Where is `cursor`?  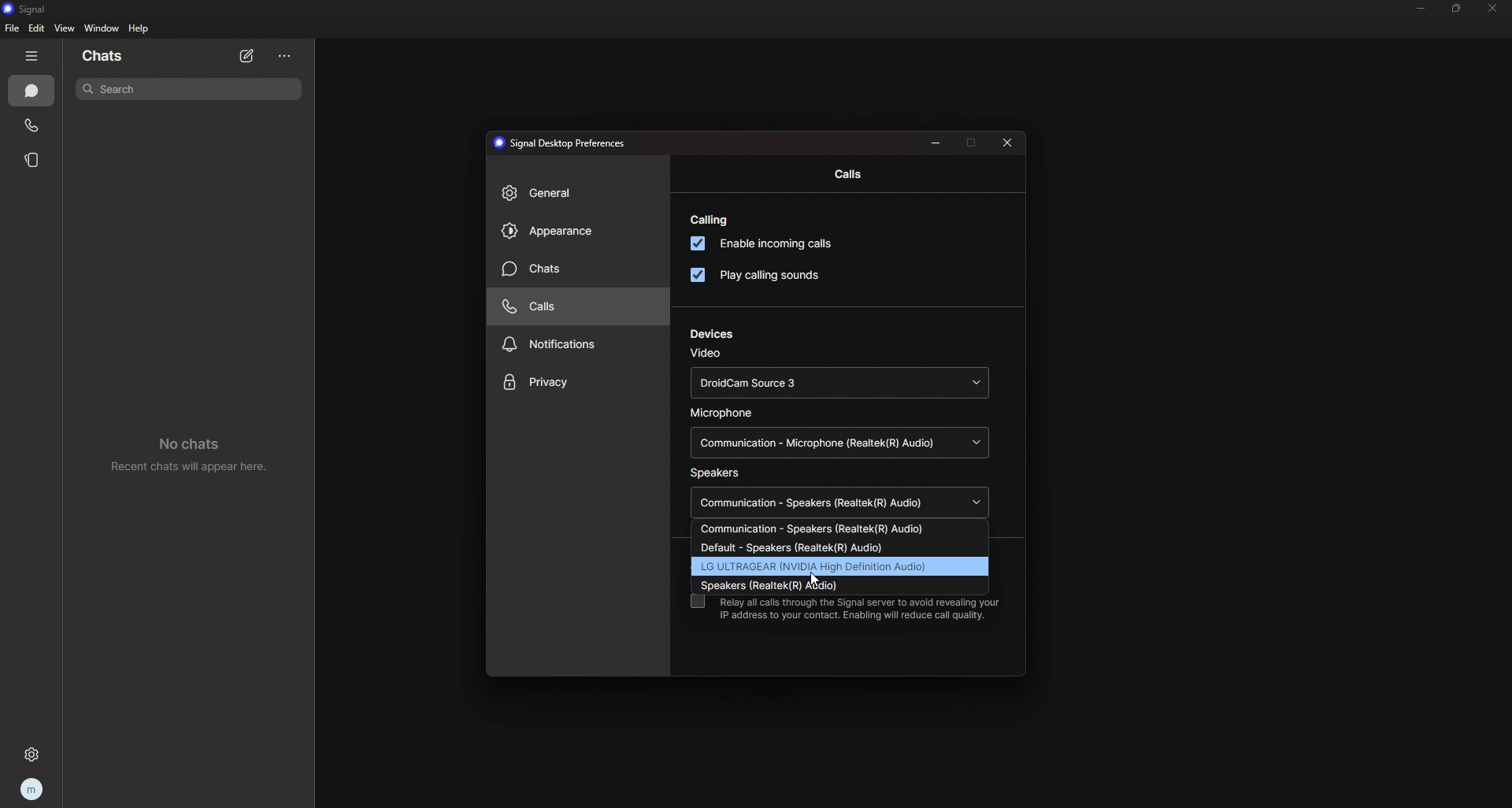
cursor is located at coordinates (813, 579).